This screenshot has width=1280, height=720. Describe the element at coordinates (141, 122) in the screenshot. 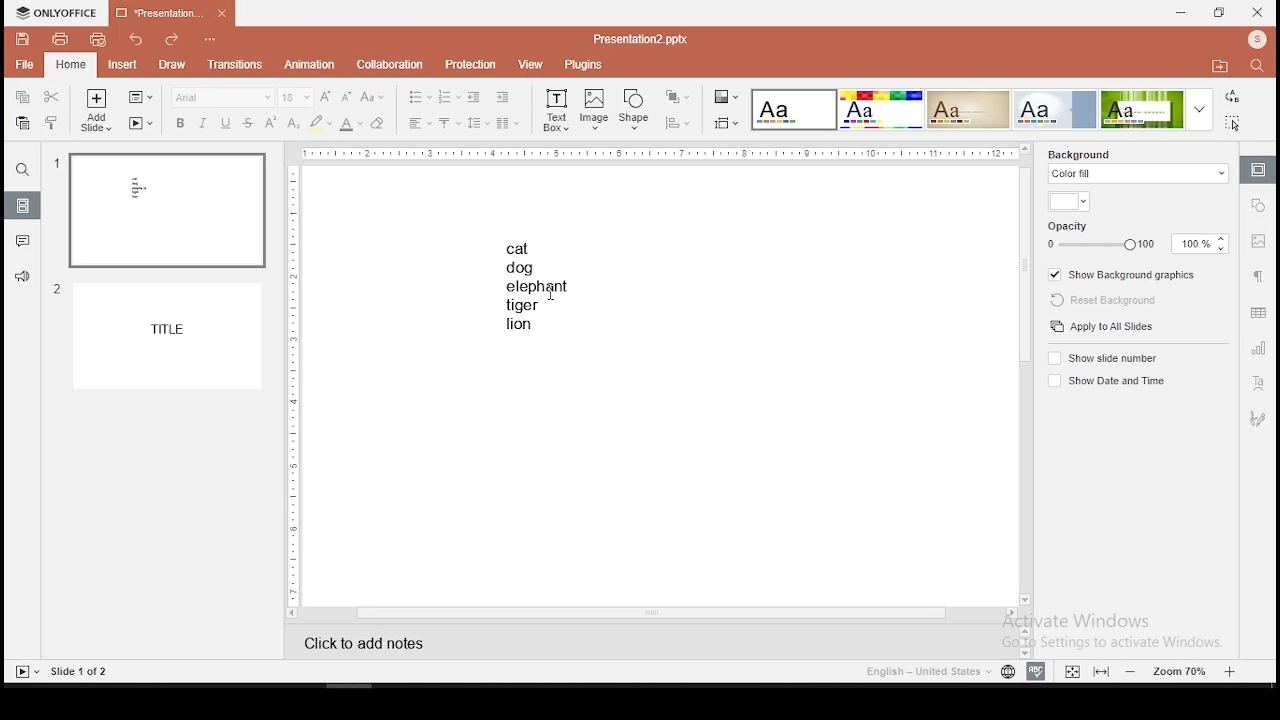

I see `start slideshow` at that location.